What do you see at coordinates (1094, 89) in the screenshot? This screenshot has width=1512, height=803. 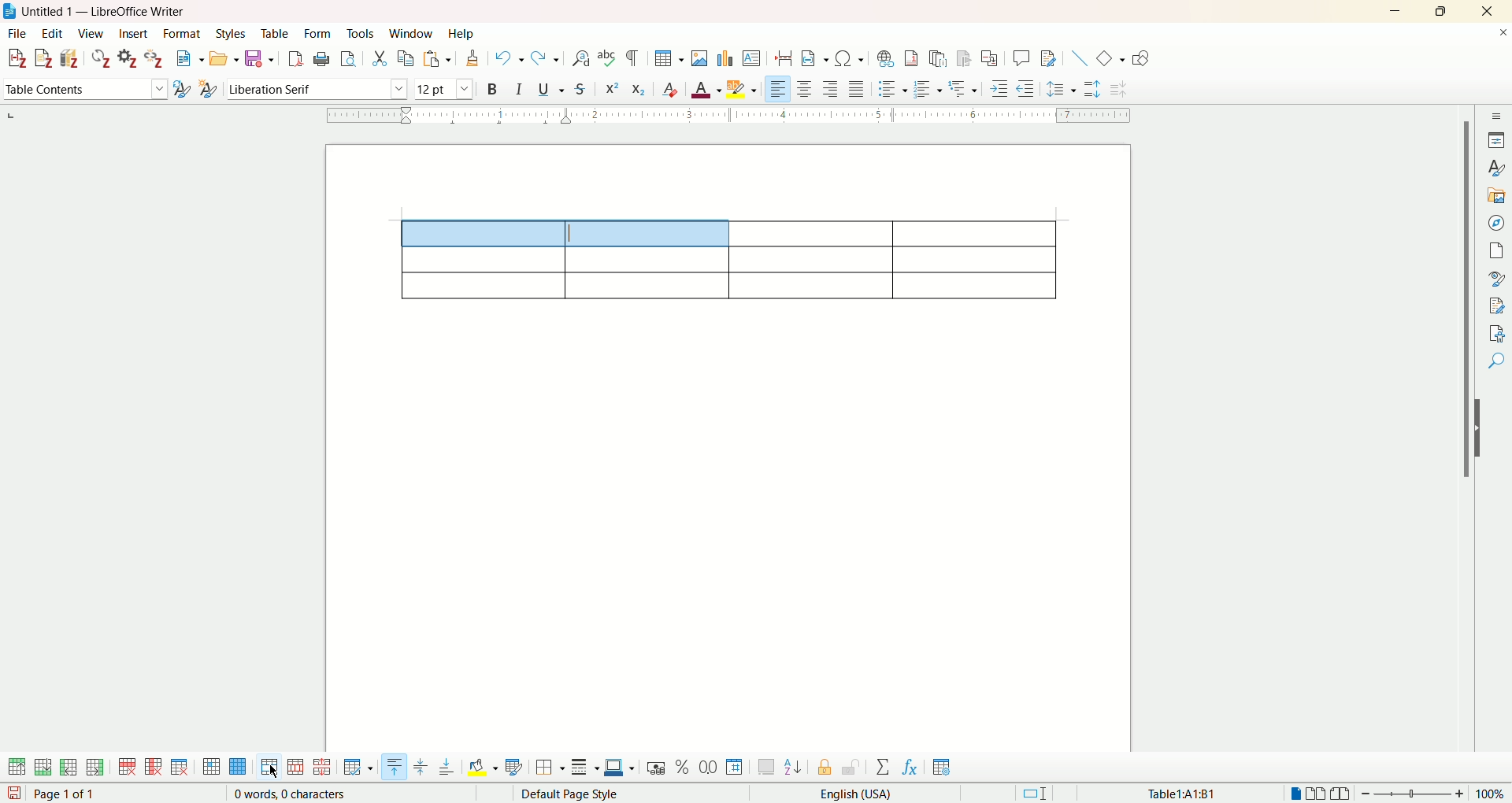 I see `increase paragraph spacing` at bounding box center [1094, 89].